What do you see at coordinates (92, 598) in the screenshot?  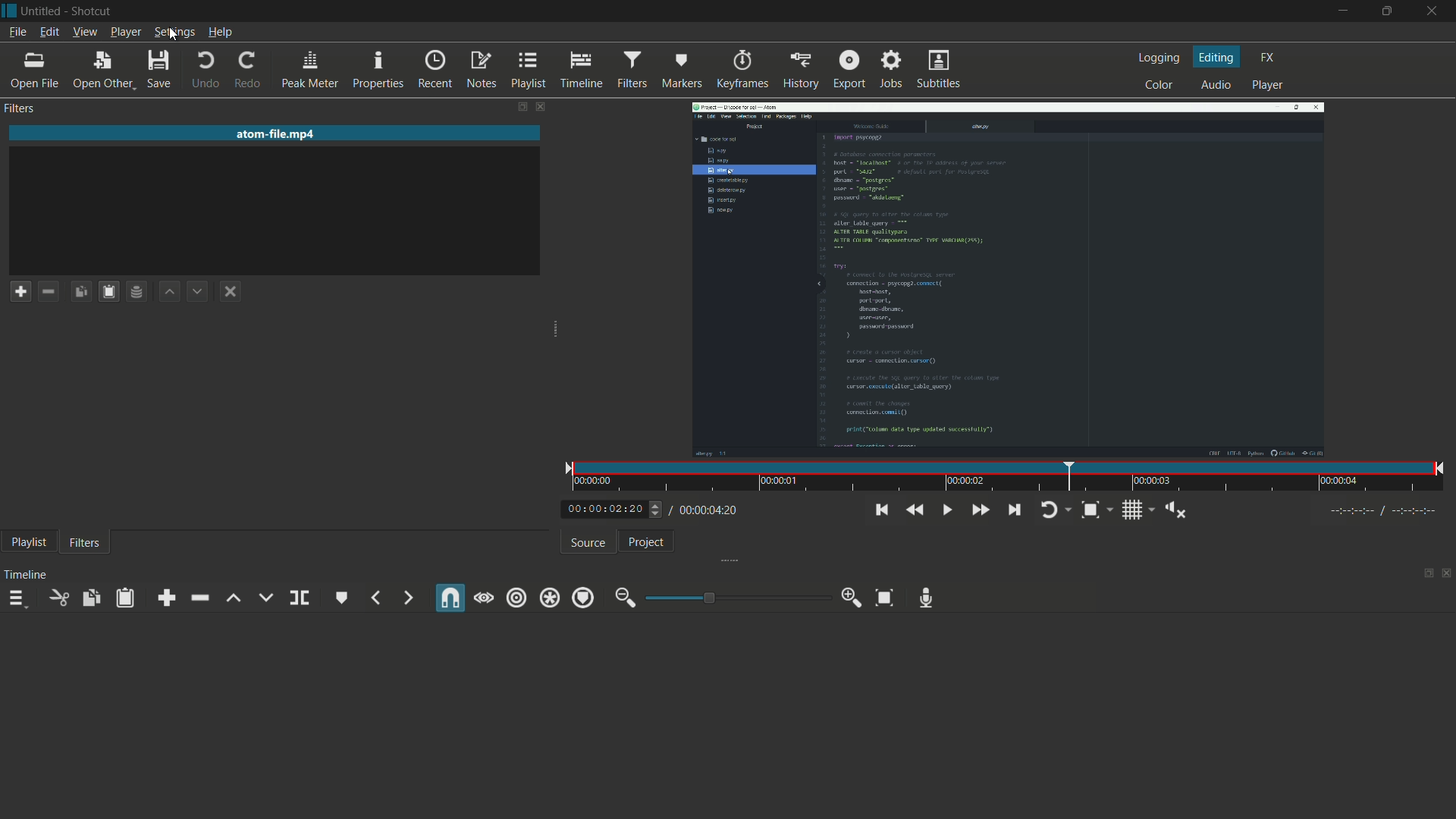 I see `copy` at bounding box center [92, 598].